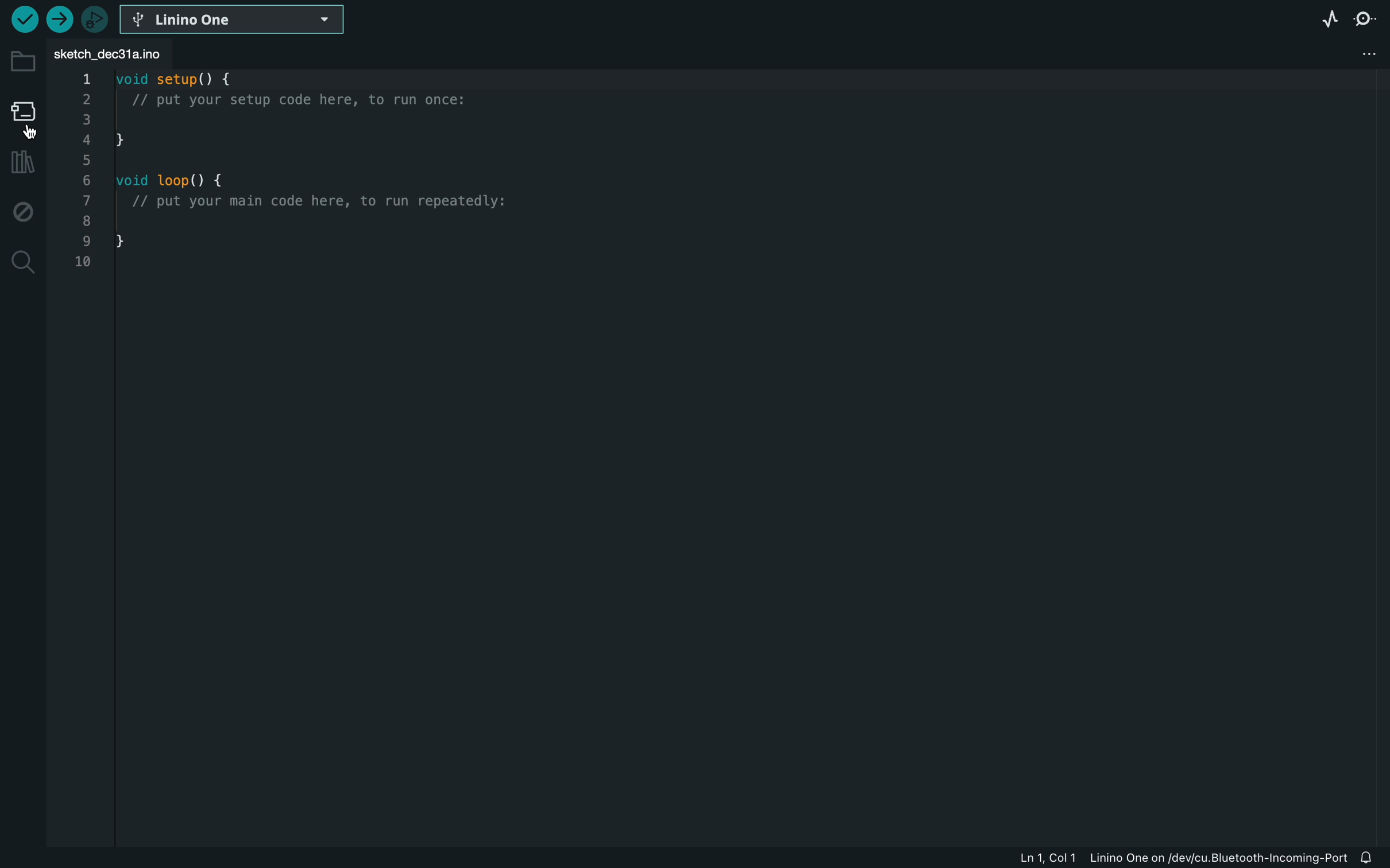  I want to click on serial plotter, so click(1323, 18).